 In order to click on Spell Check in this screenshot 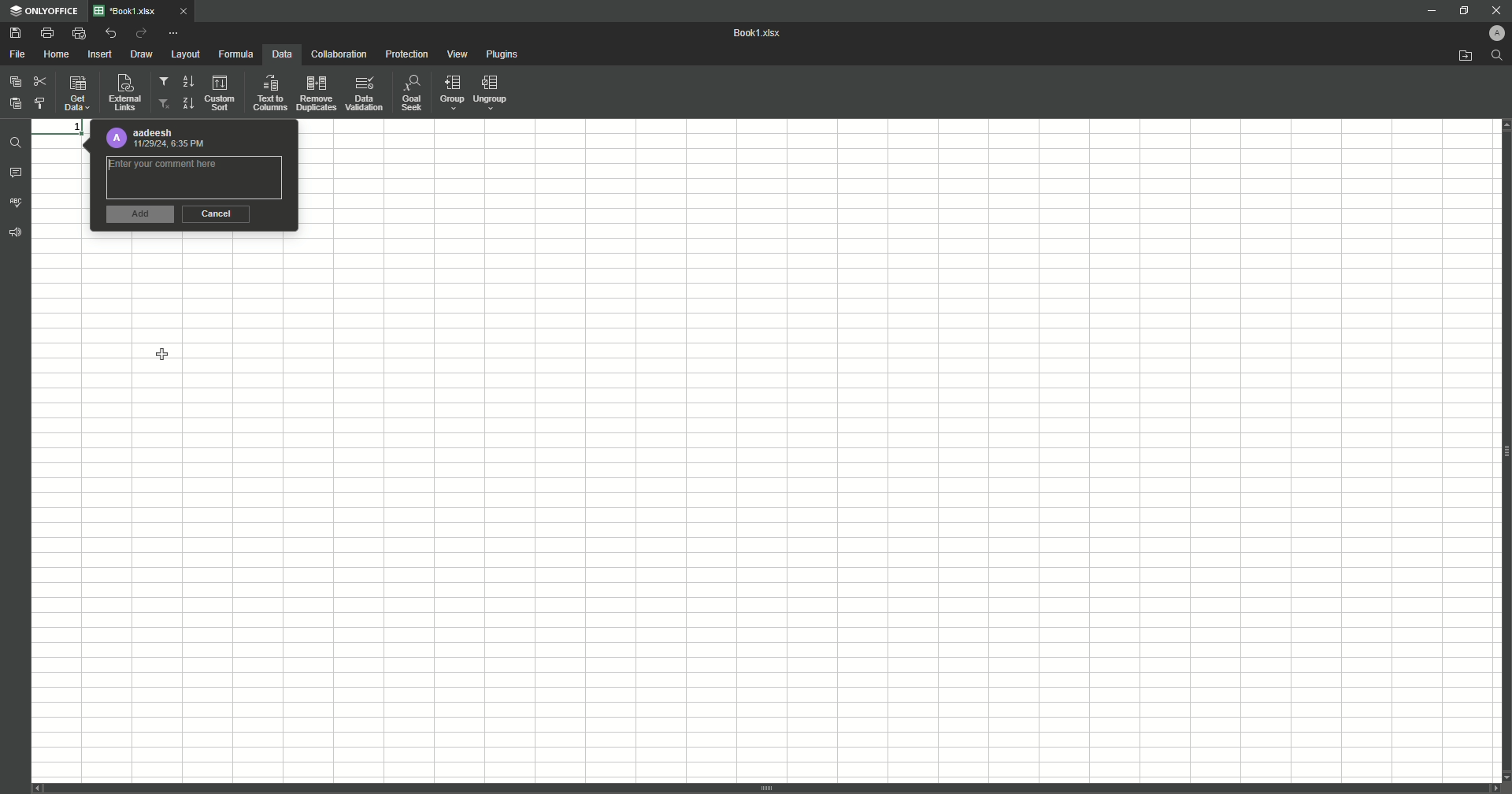, I will do `click(17, 202)`.